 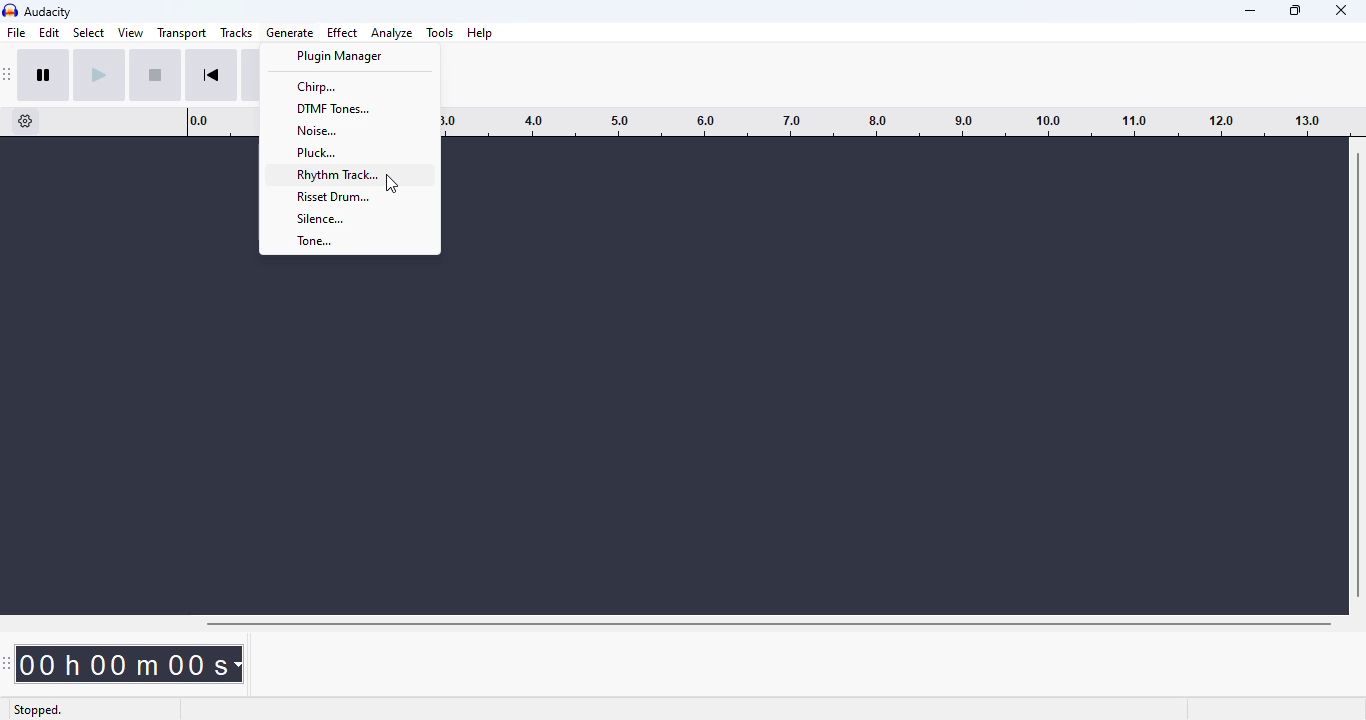 I want to click on audacity time toolbar, so click(x=7, y=662).